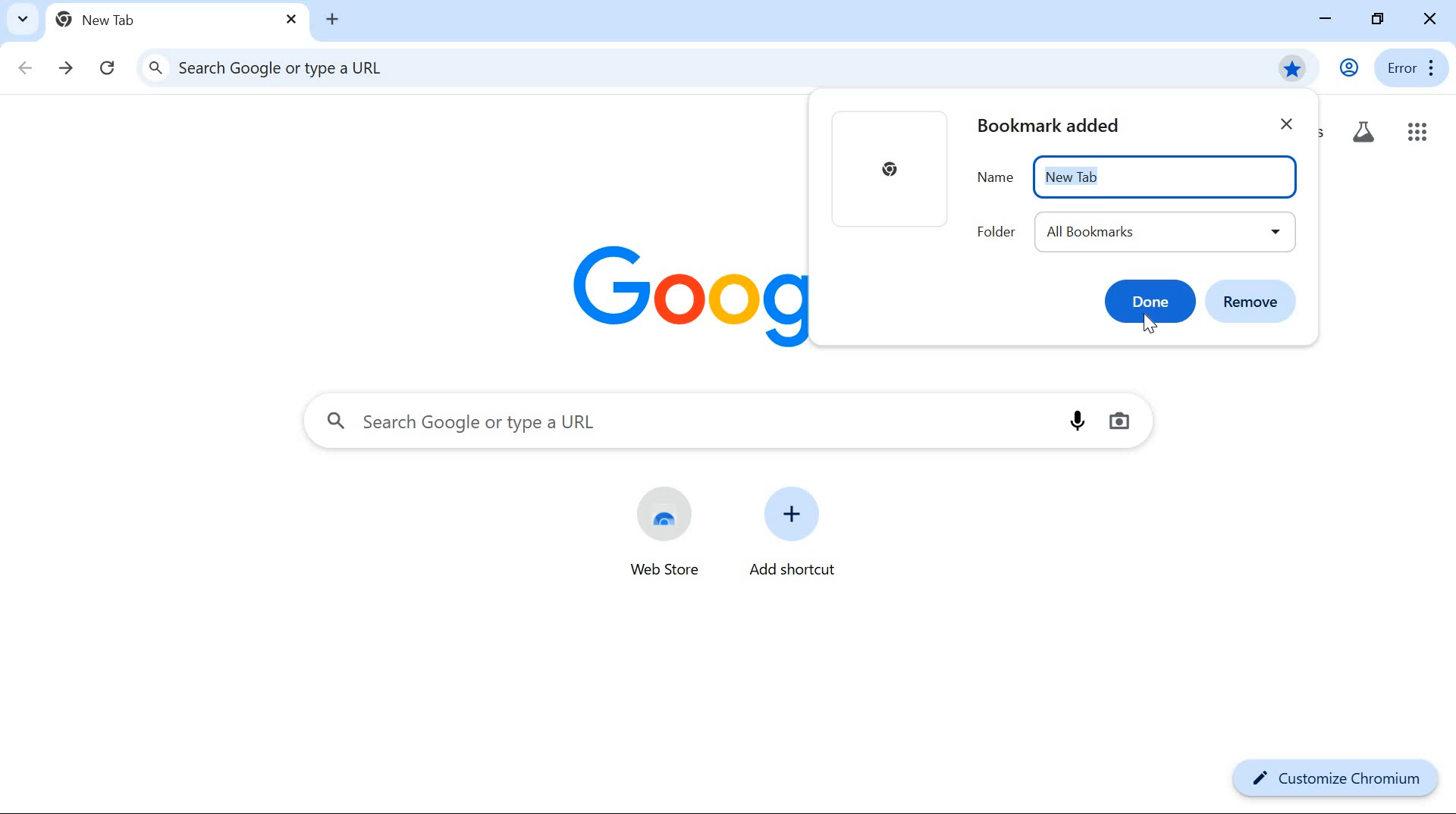 The image size is (1456, 814). I want to click on search google or type a URL, so click(673, 67).